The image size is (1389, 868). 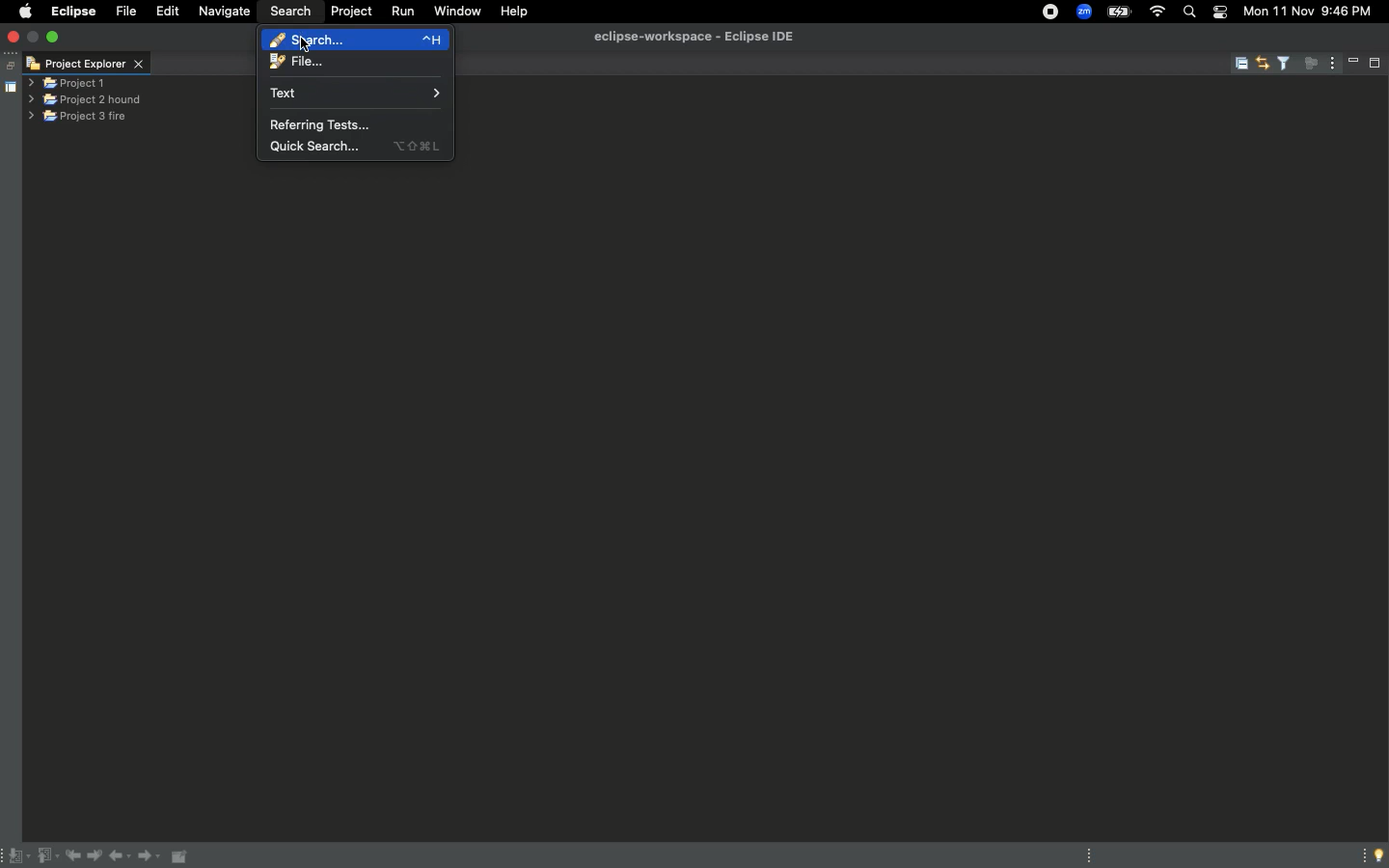 What do you see at coordinates (16, 856) in the screenshot?
I see `Next annotation` at bounding box center [16, 856].